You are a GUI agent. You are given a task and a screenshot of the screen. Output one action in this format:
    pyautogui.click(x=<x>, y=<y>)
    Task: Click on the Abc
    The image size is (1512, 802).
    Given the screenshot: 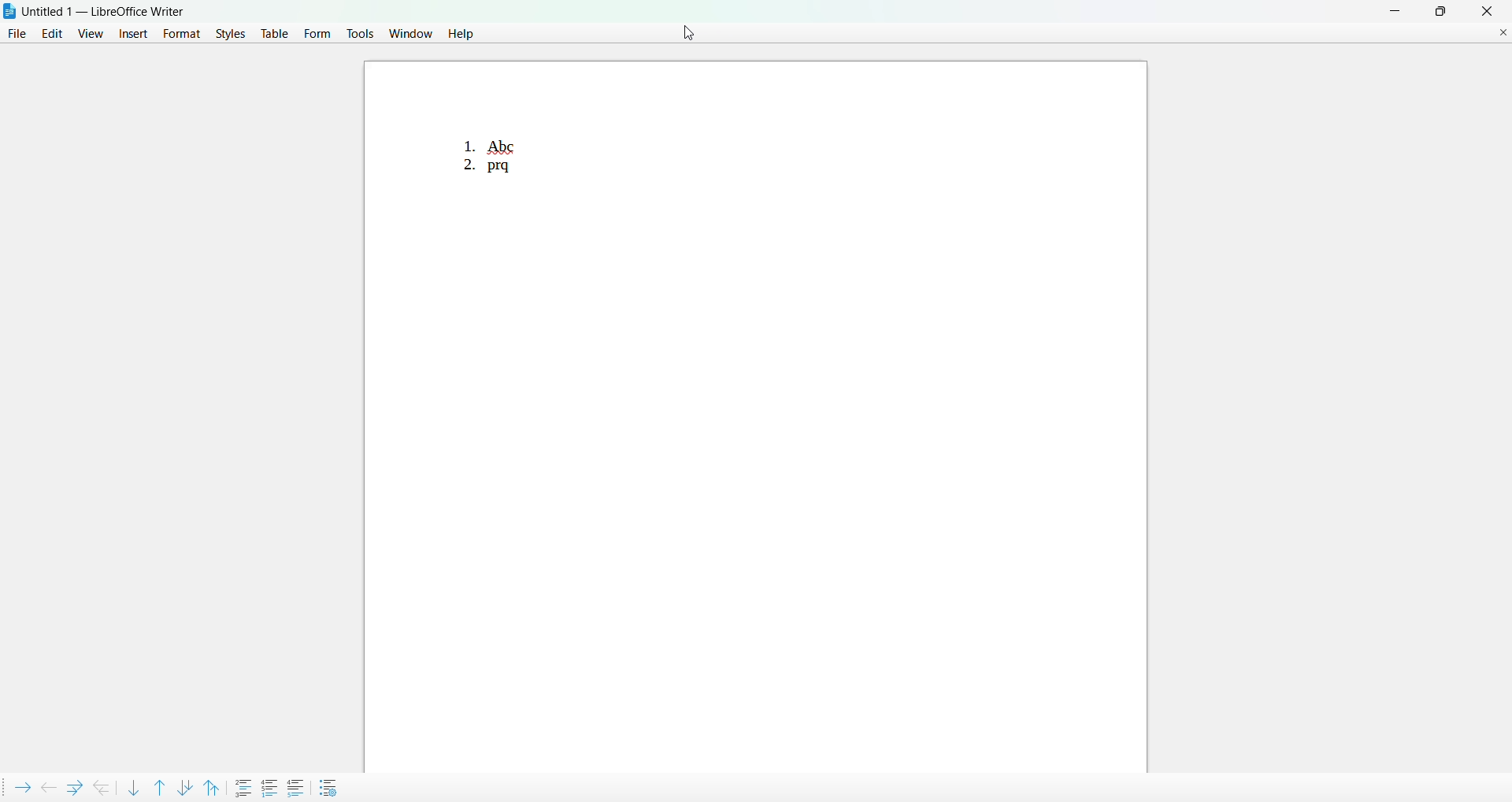 What is the action you would take?
    pyautogui.click(x=513, y=143)
    